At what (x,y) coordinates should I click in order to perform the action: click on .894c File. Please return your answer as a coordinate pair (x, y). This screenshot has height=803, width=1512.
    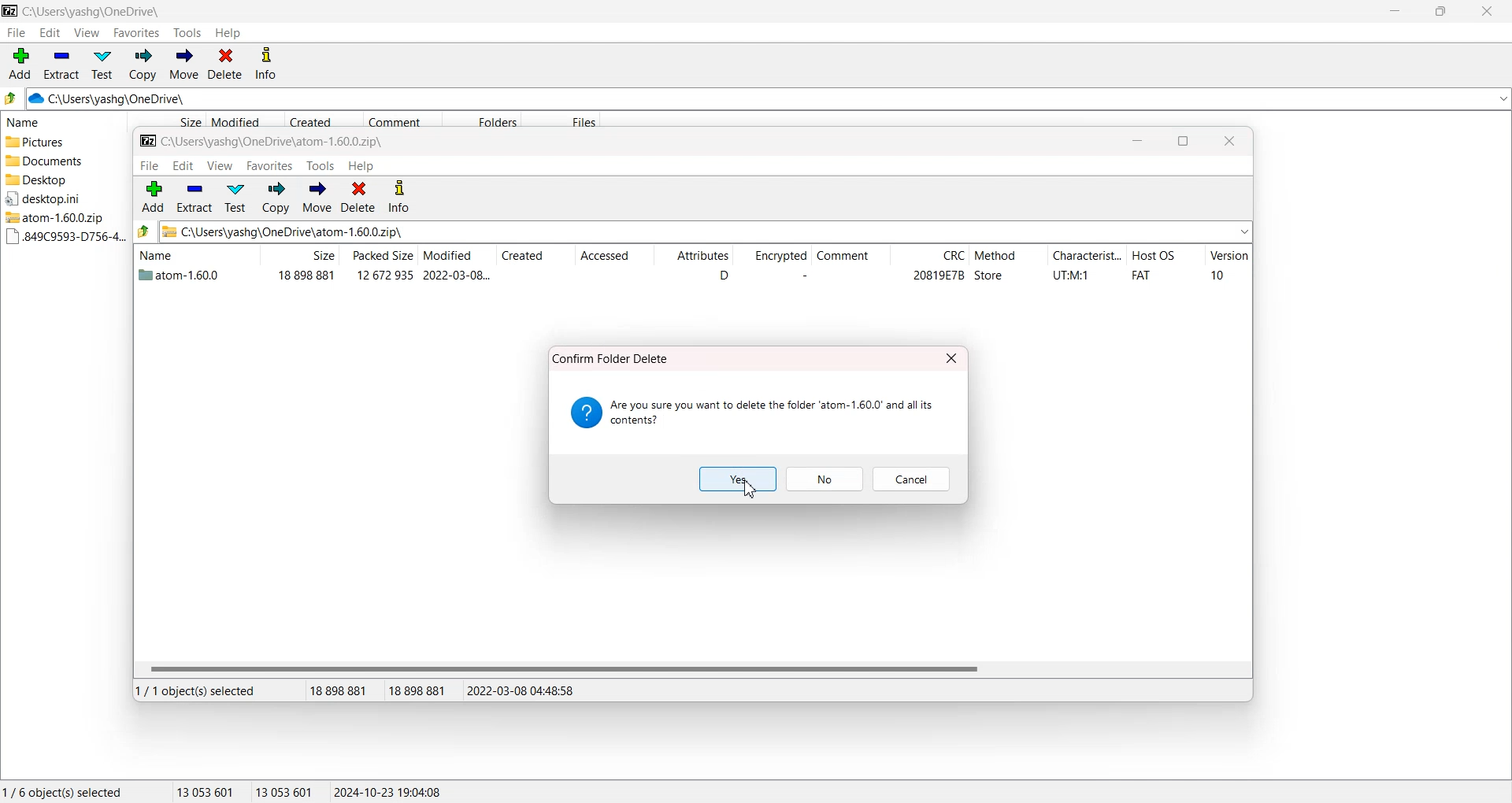
    Looking at the image, I should click on (62, 237).